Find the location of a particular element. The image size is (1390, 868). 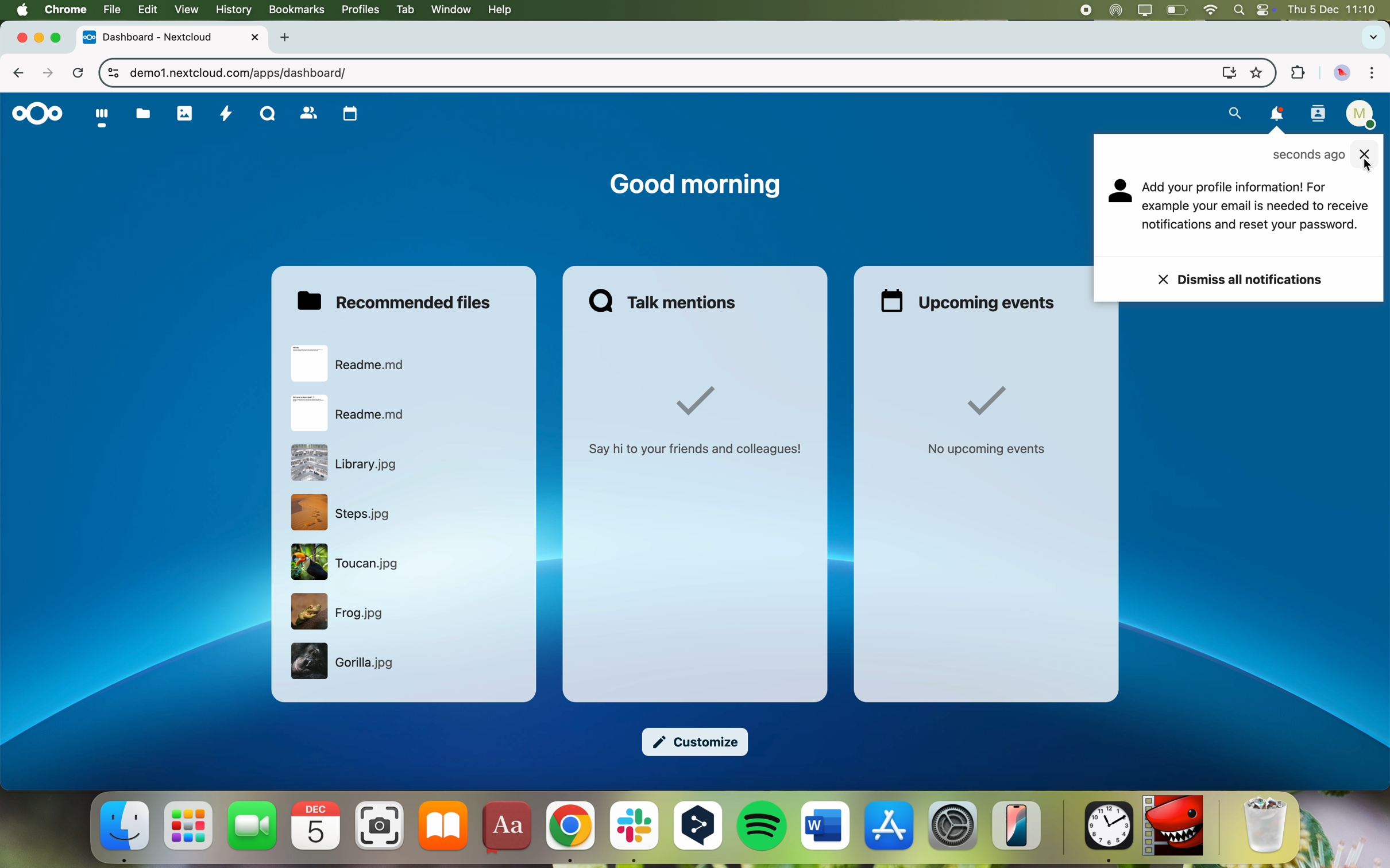

user profile is located at coordinates (1363, 117).